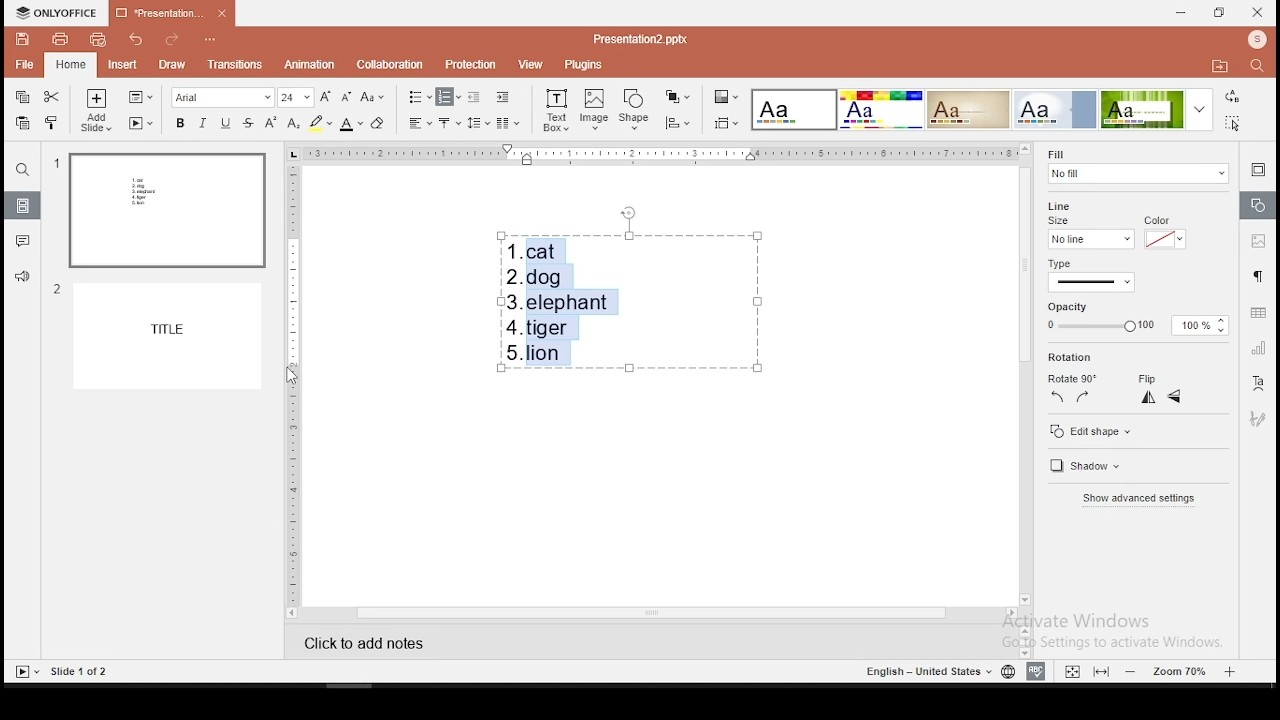 Image resolution: width=1280 pixels, height=720 pixels. I want to click on replace, so click(1232, 97).